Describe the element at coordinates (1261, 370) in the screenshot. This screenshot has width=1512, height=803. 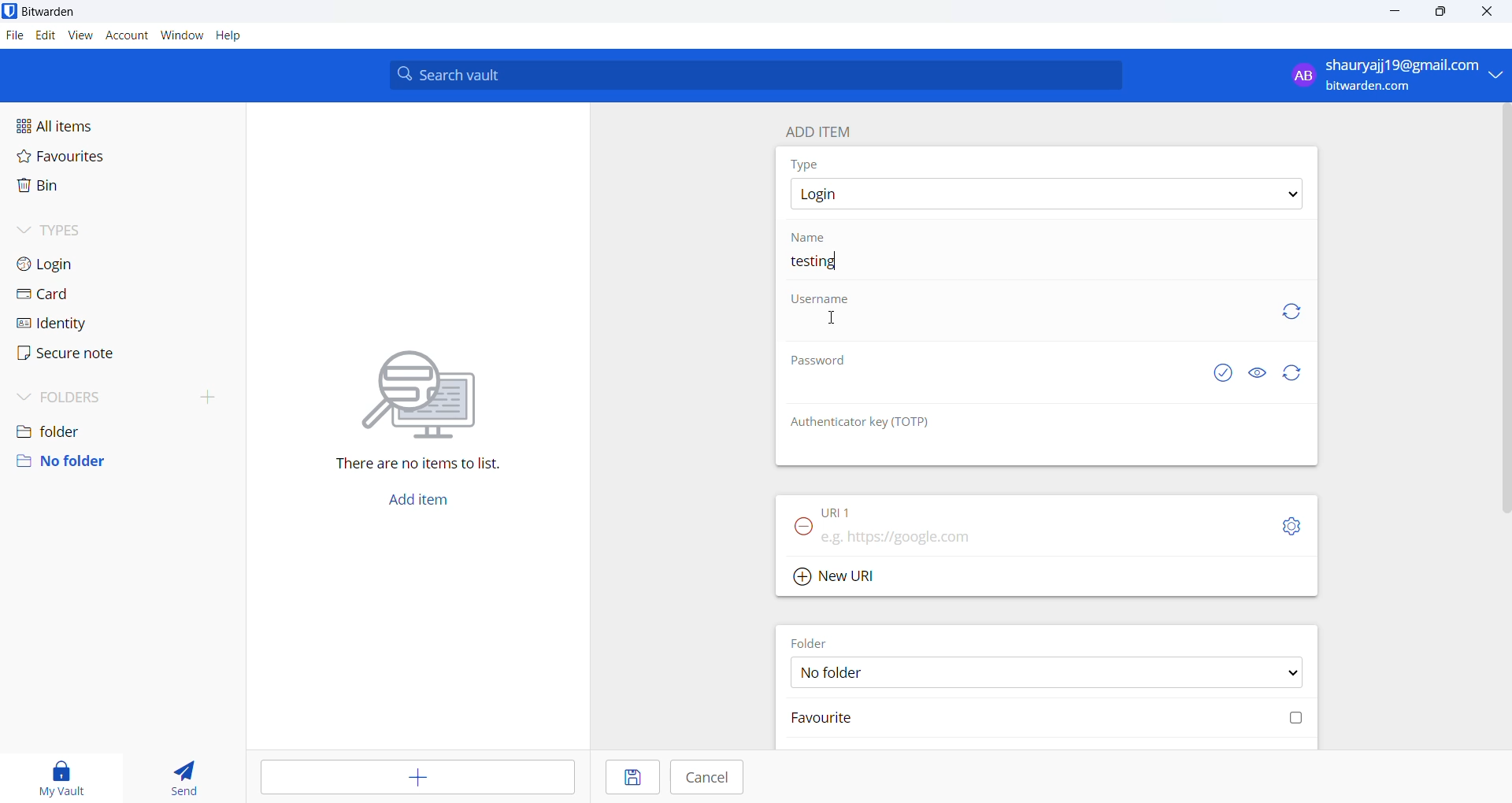
I see `show or hide` at that location.